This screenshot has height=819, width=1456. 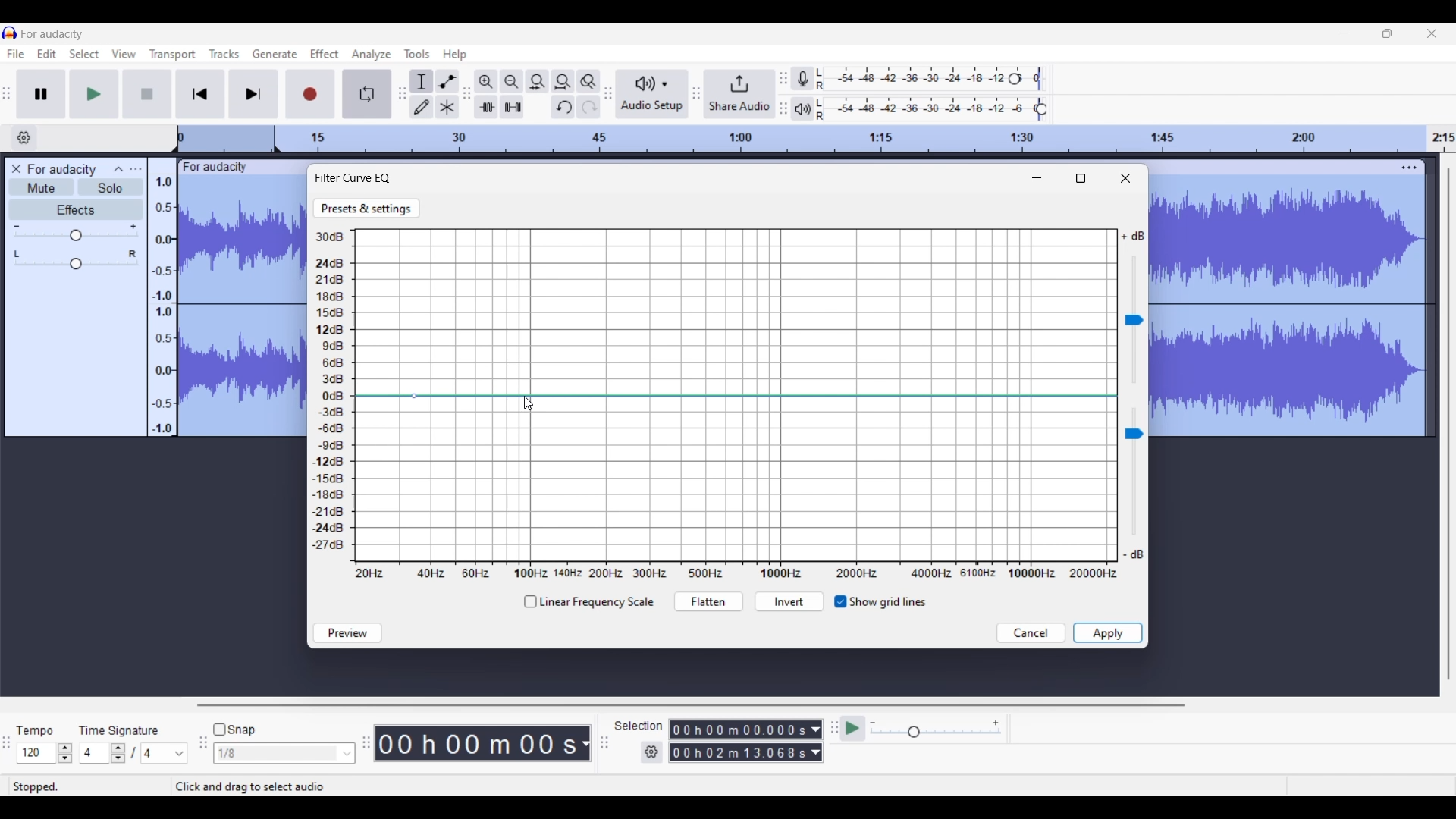 What do you see at coordinates (874, 723) in the screenshot?
I see `Min. playback speed` at bounding box center [874, 723].